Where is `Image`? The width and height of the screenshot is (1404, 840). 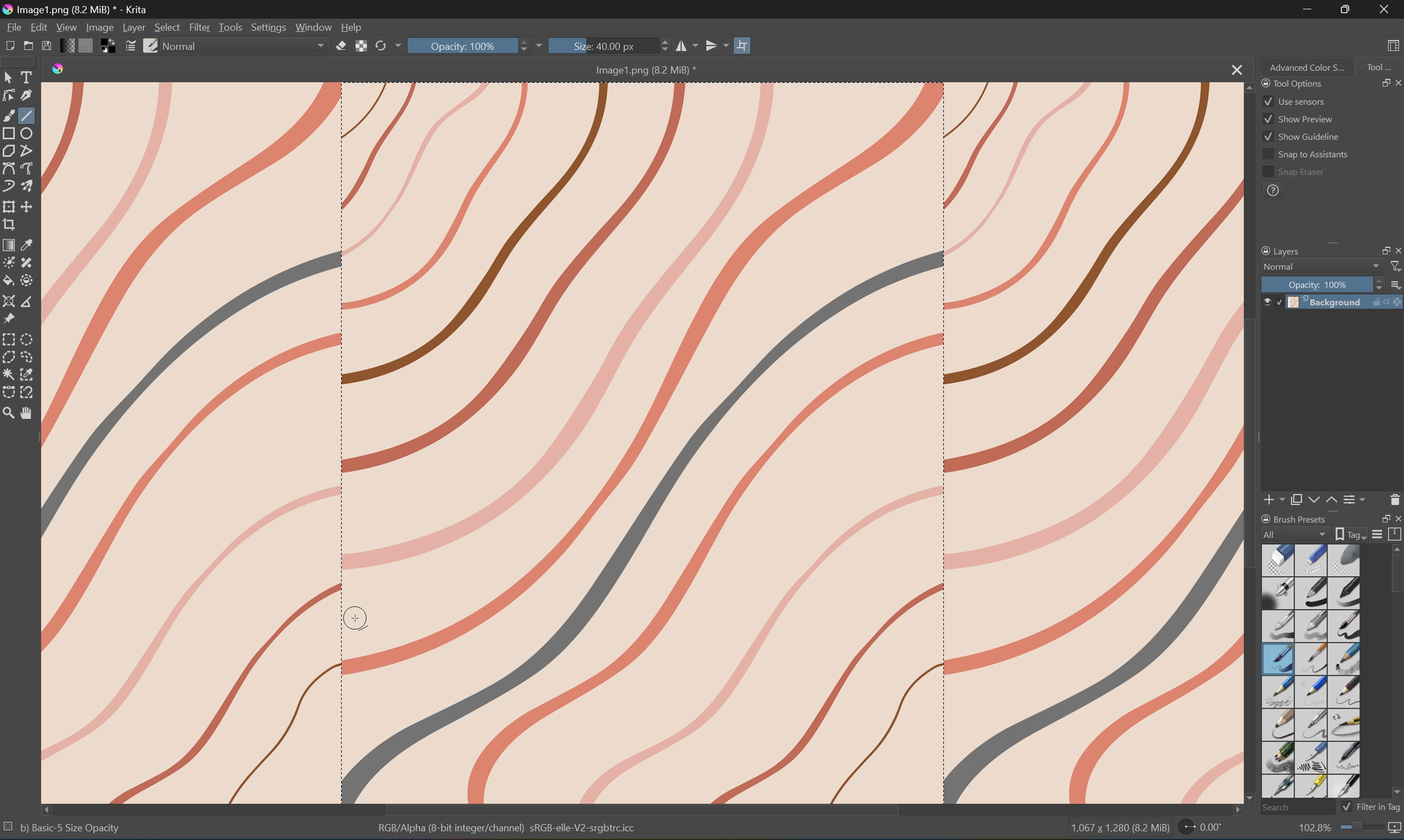 Image is located at coordinates (643, 443).